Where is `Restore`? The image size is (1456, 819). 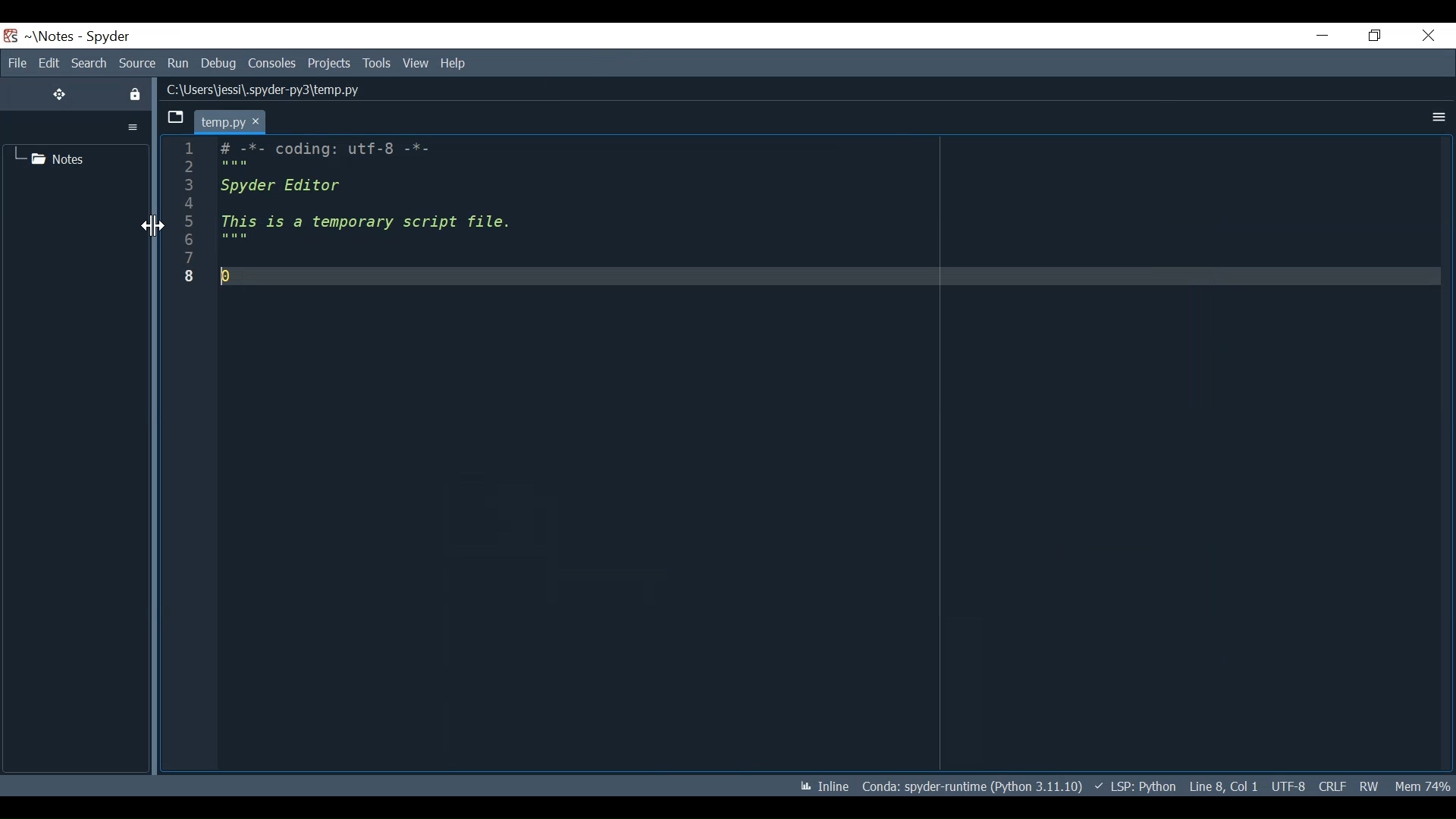 Restore is located at coordinates (1375, 35).